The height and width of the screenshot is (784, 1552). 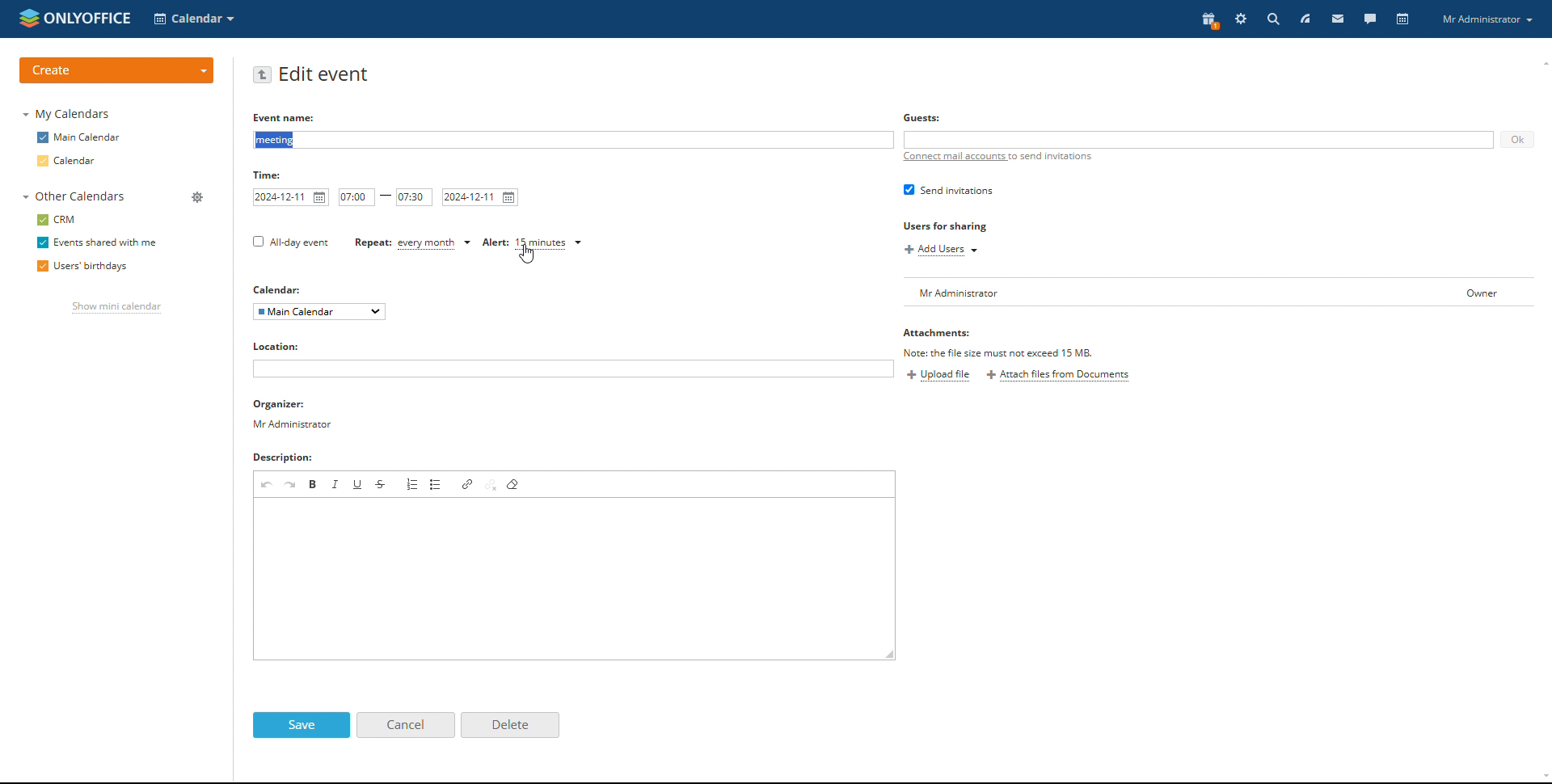 I want to click on end time, so click(x=414, y=198).